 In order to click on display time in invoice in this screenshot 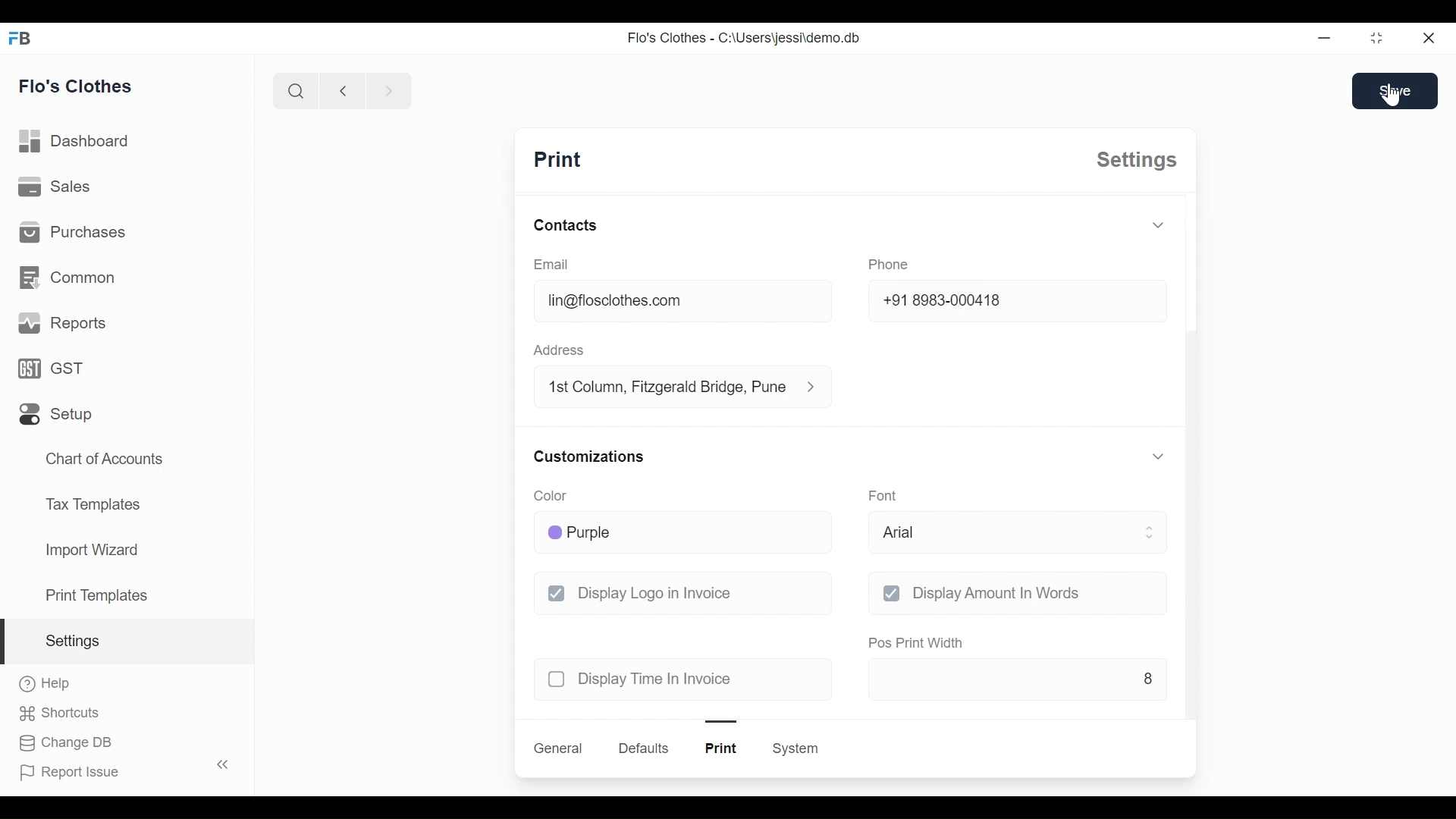, I will do `click(660, 679)`.